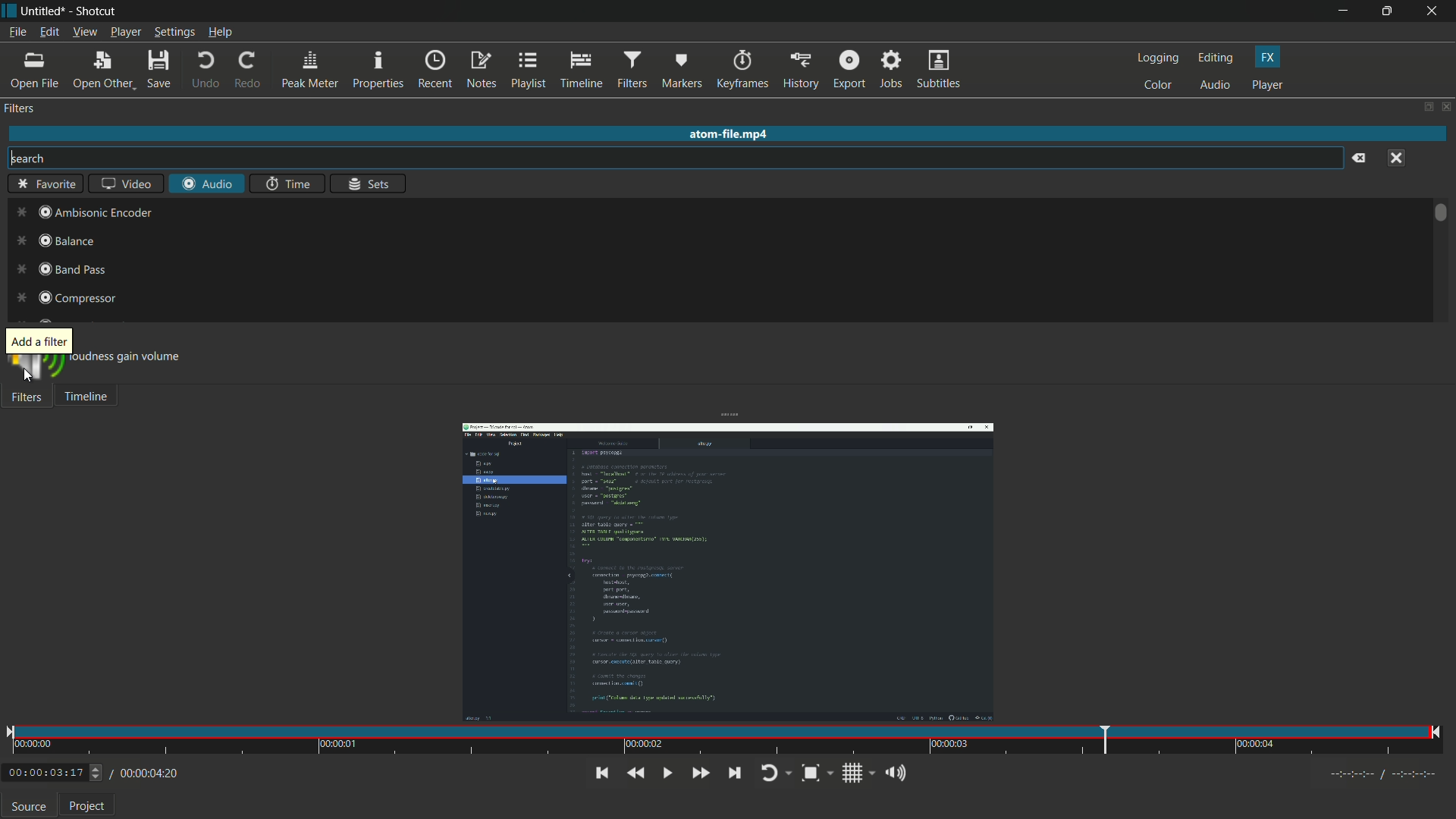 This screenshot has height=819, width=1456. What do you see at coordinates (1216, 58) in the screenshot?
I see `editing` at bounding box center [1216, 58].